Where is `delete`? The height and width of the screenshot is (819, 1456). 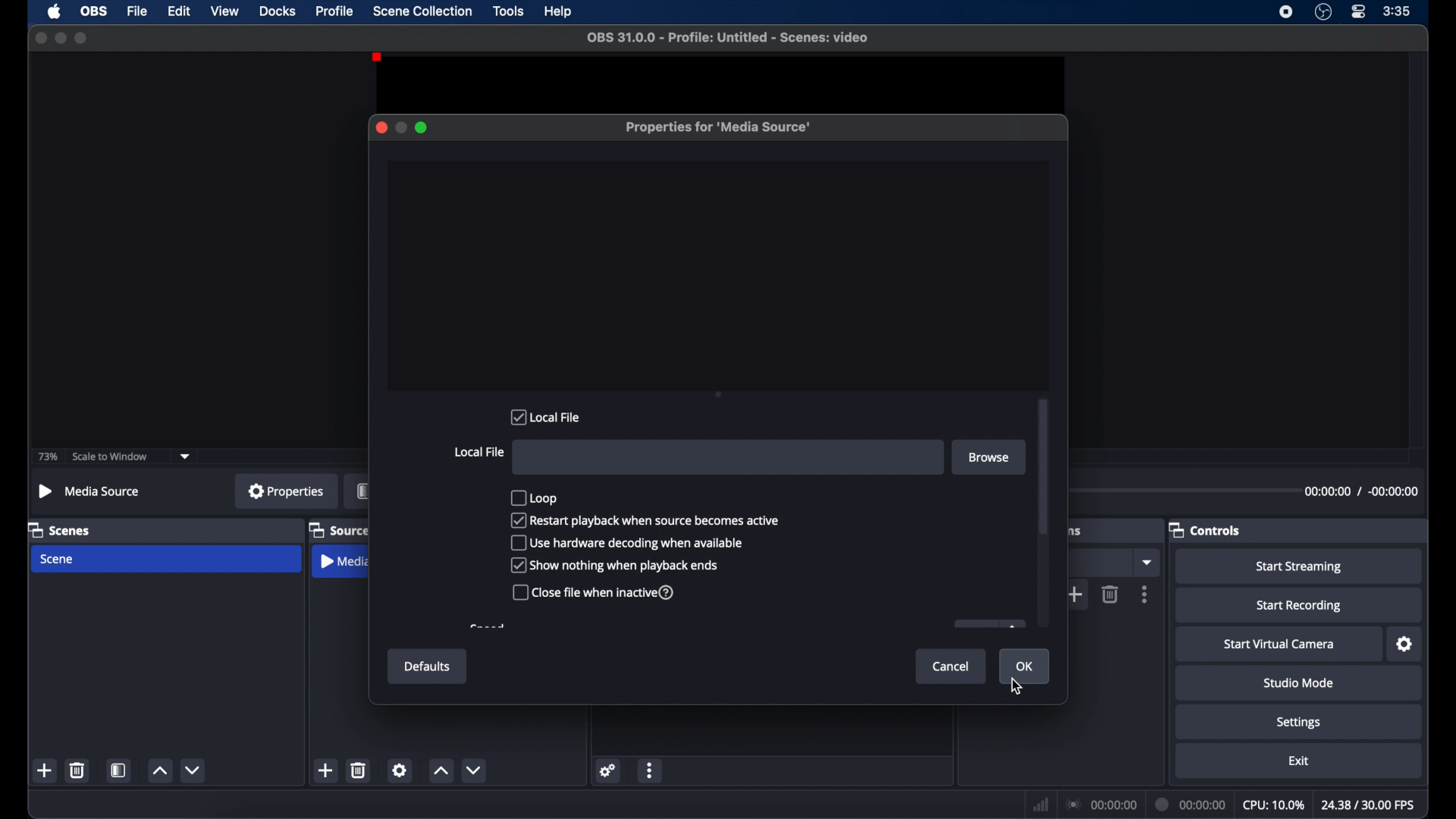
delete is located at coordinates (78, 770).